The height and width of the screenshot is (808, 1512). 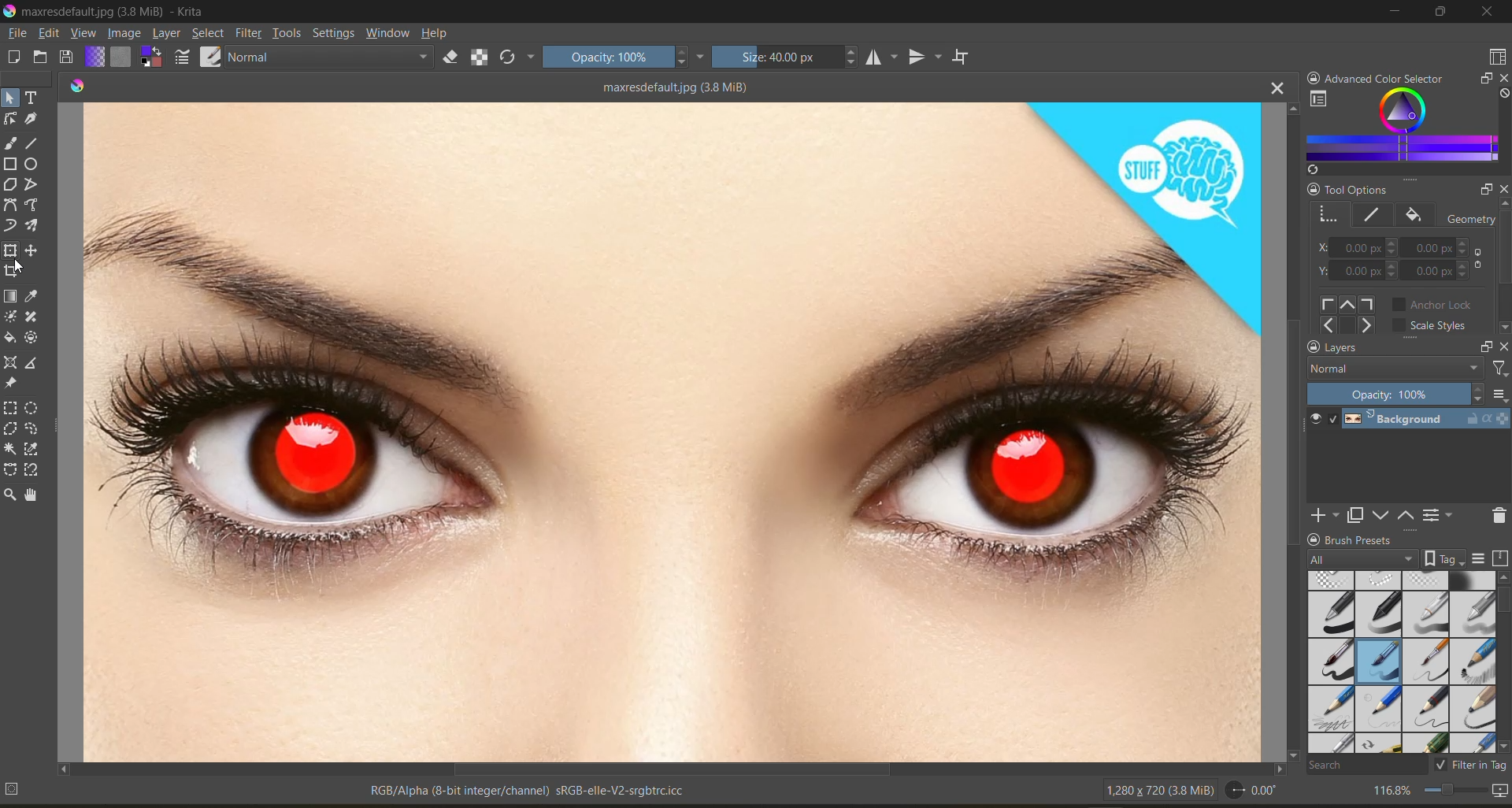 What do you see at coordinates (97, 56) in the screenshot?
I see `fill gradients` at bounding box center [97, 56].